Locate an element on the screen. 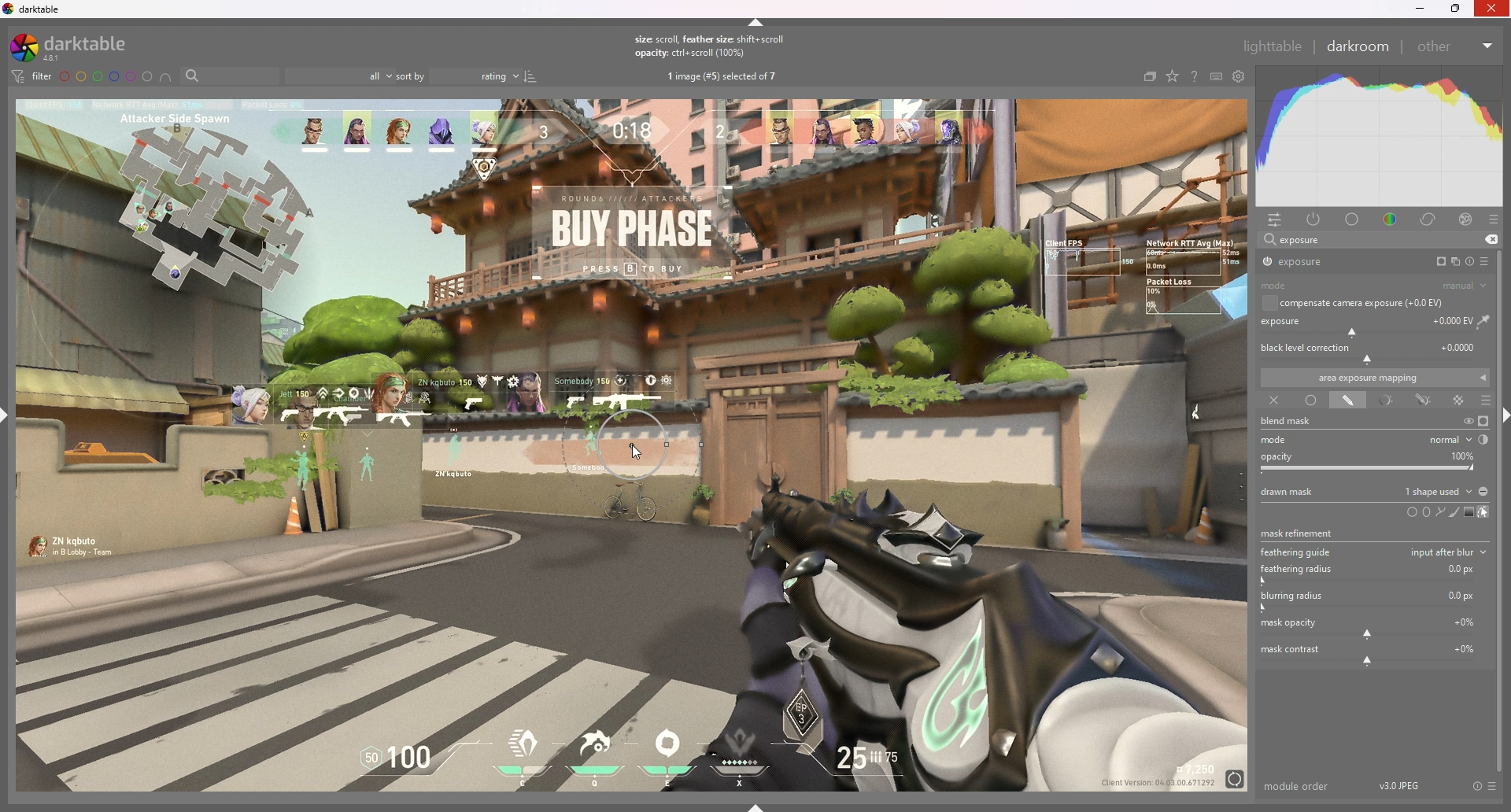  ellipse is located at coordinates (1427, 511).